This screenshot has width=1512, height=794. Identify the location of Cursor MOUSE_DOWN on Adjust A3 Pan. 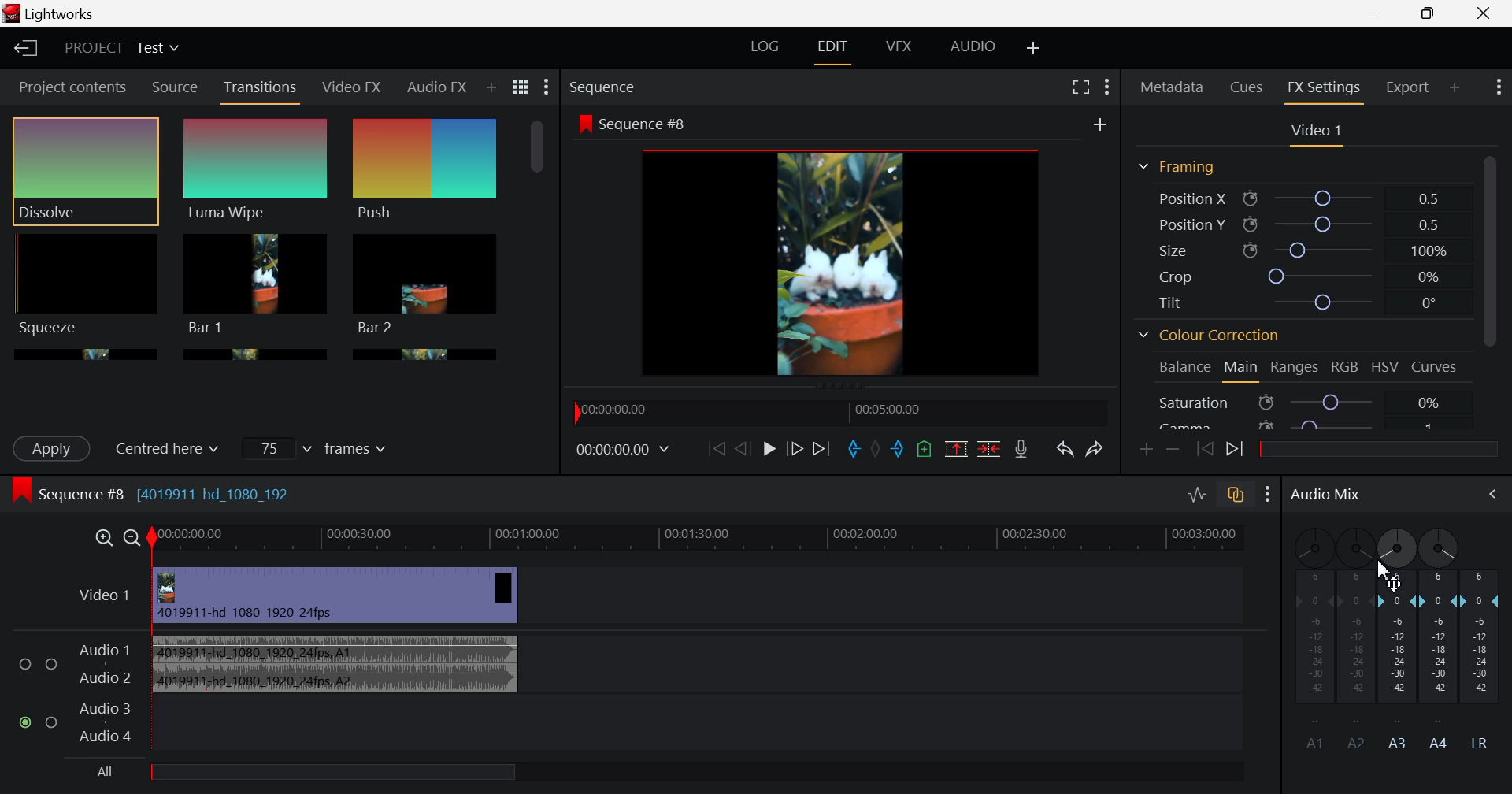
(1385, 571).